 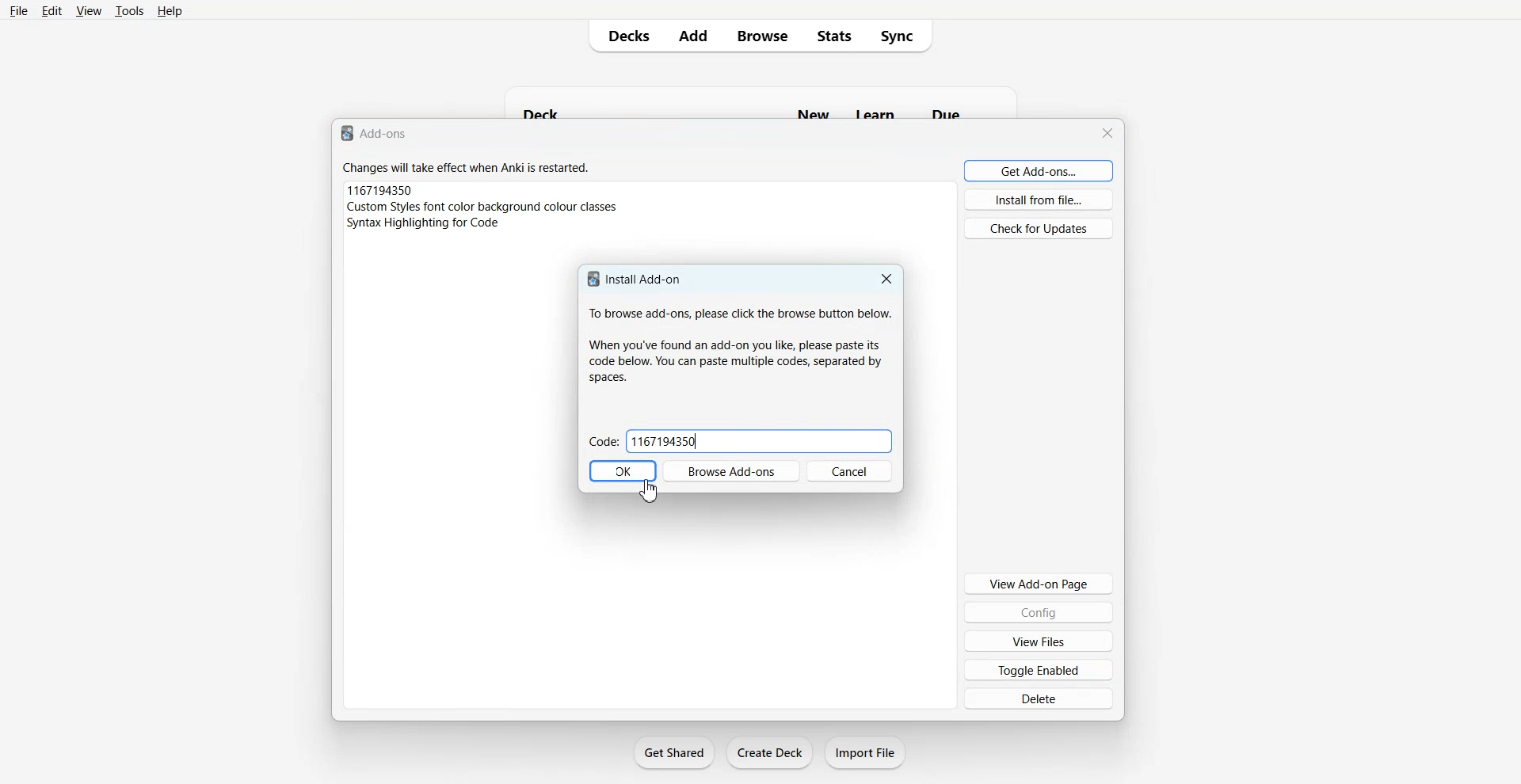 What do you see at coordinates (1038, 228) in the screenshot?
I see `Check for Updates` at bounding box center [1038, 228].